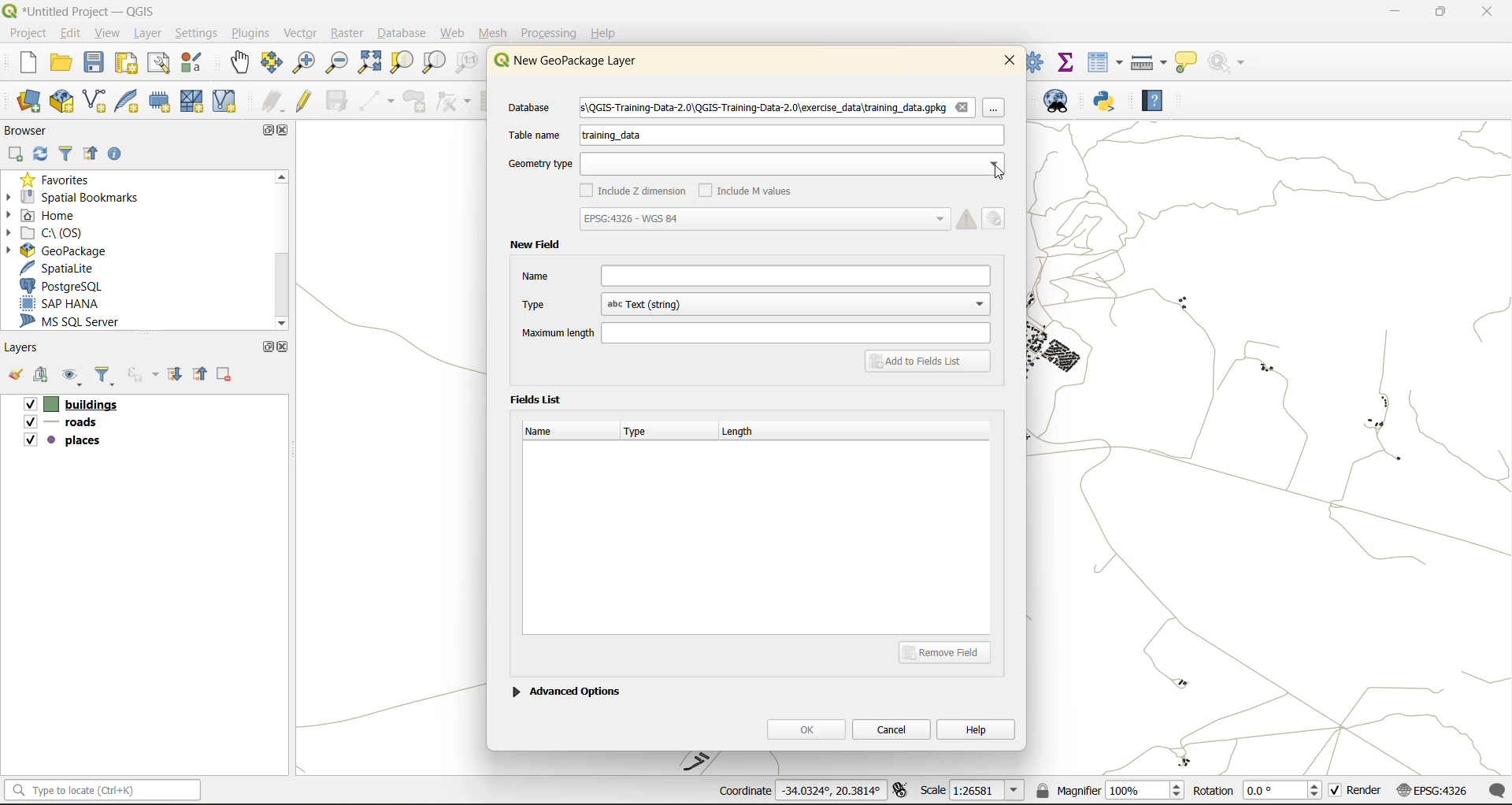 The height and width of the screenshot is (805, 1512). What do you see at coordinates (997, 217) in the screenshot?
I see `Edit` at bounding box center [997, 217].